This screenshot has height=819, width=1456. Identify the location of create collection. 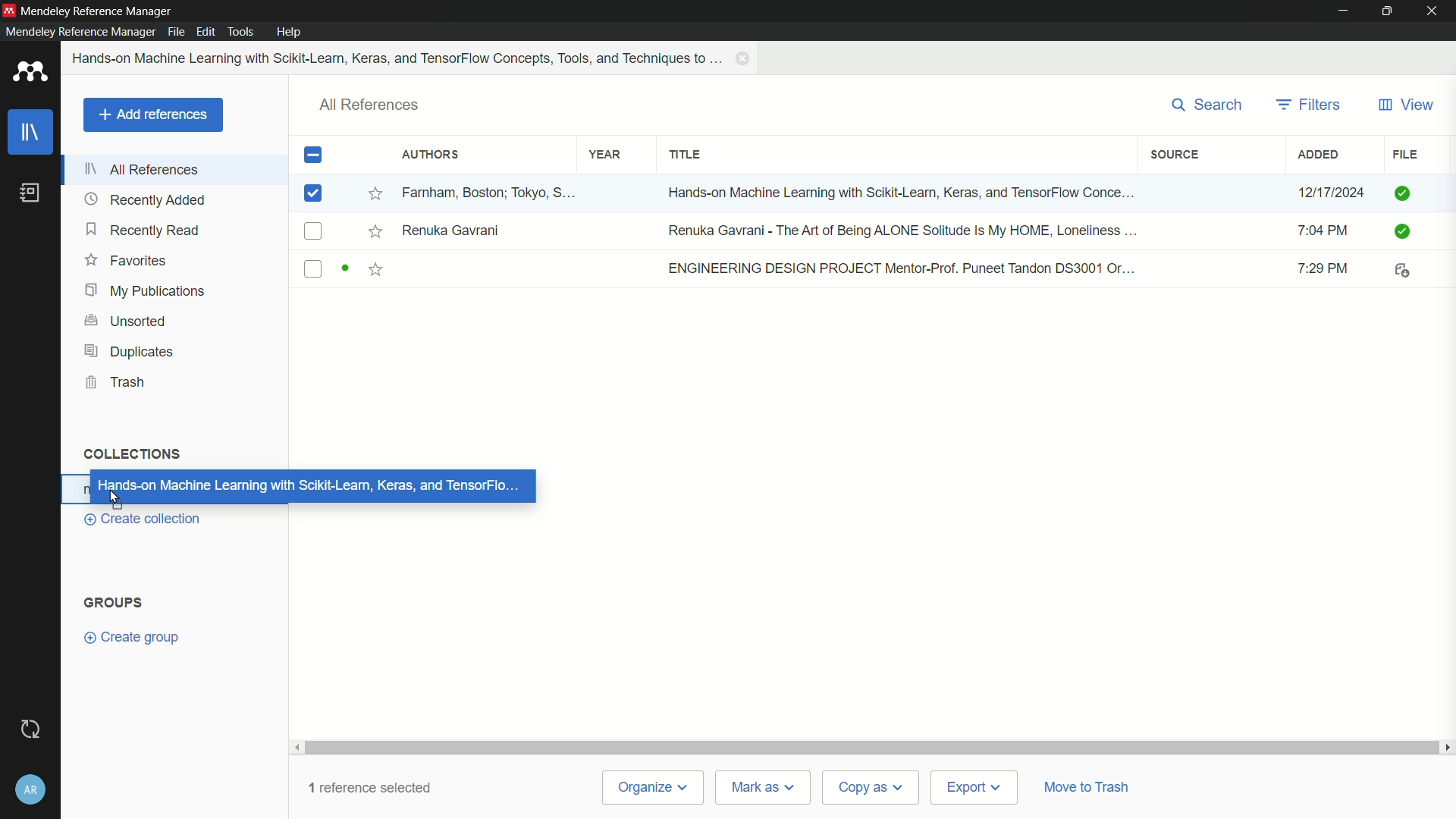
(139, 519).